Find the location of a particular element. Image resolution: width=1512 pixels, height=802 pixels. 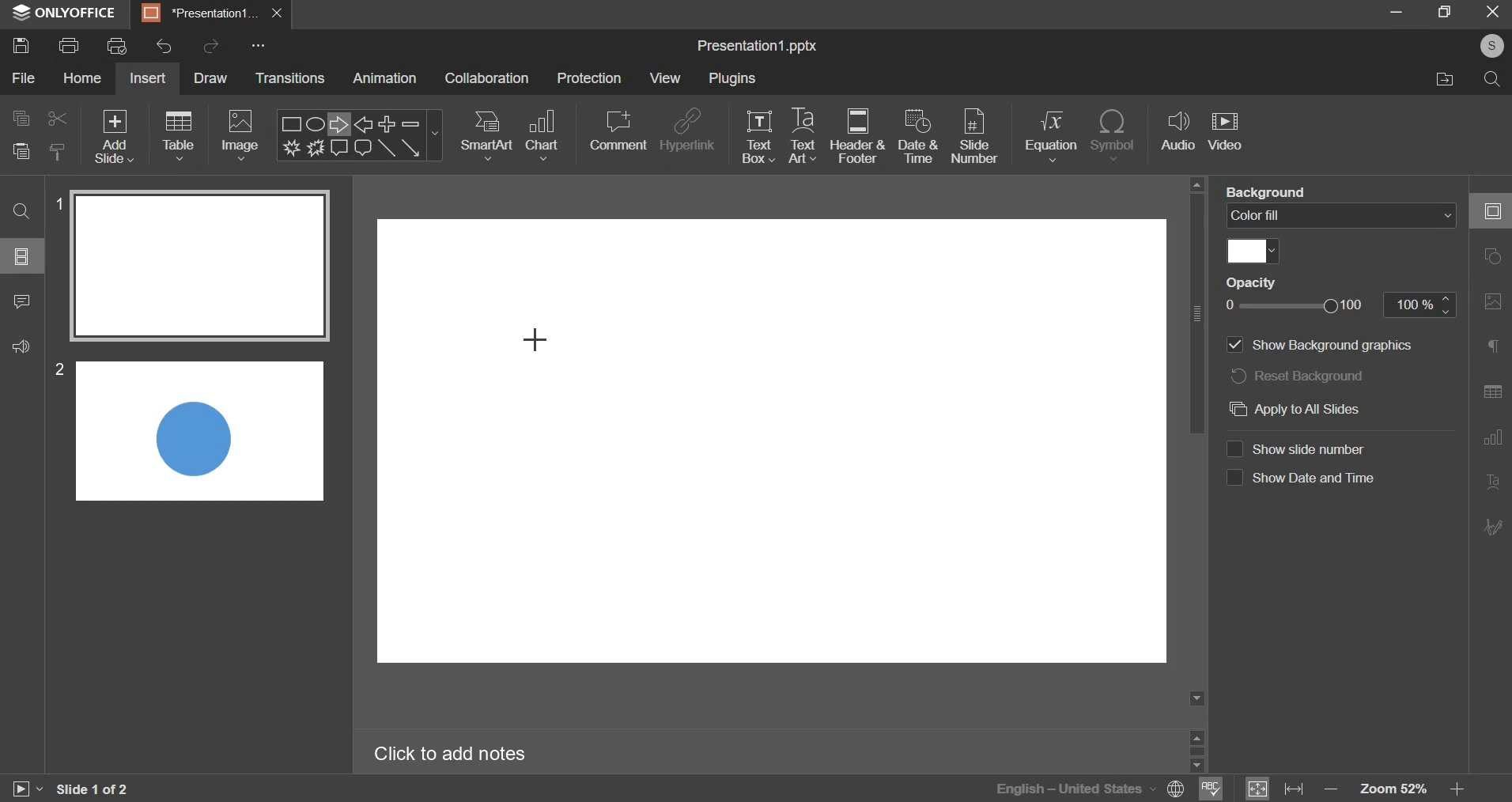

 scroll up  is located at coordinates (1197, 736).